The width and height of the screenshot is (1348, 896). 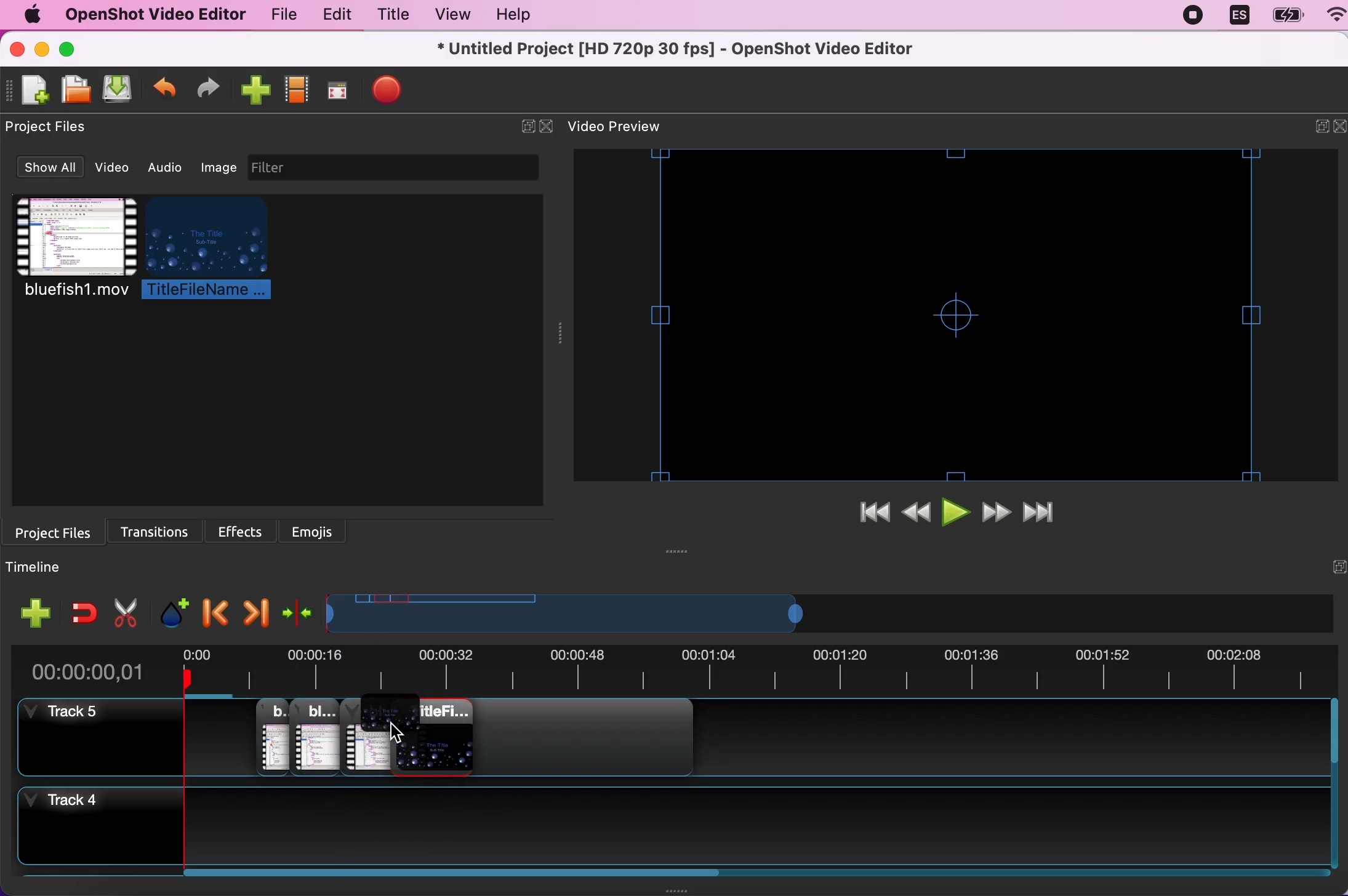 I want to click on mac logo, so click(x=28, y=15).